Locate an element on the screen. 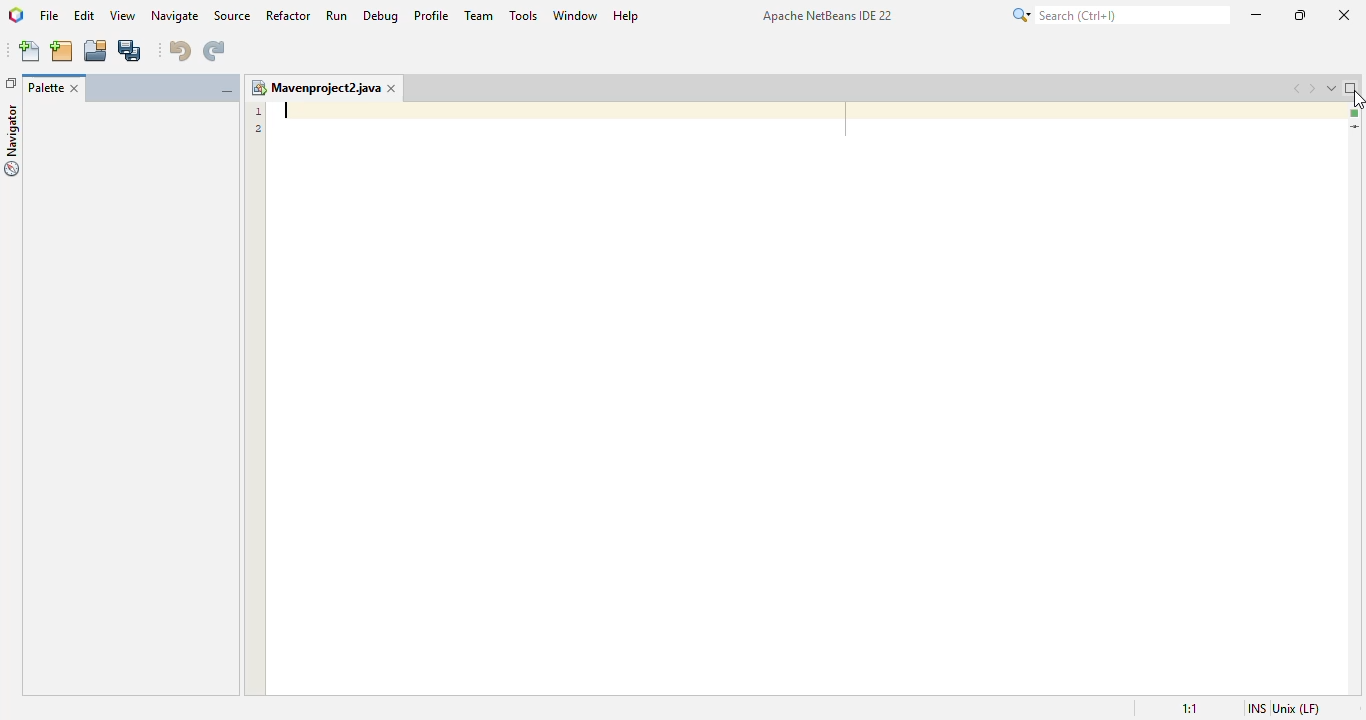 This screenshot has height=720, width=1366. source is located at coordinates (231, 15).